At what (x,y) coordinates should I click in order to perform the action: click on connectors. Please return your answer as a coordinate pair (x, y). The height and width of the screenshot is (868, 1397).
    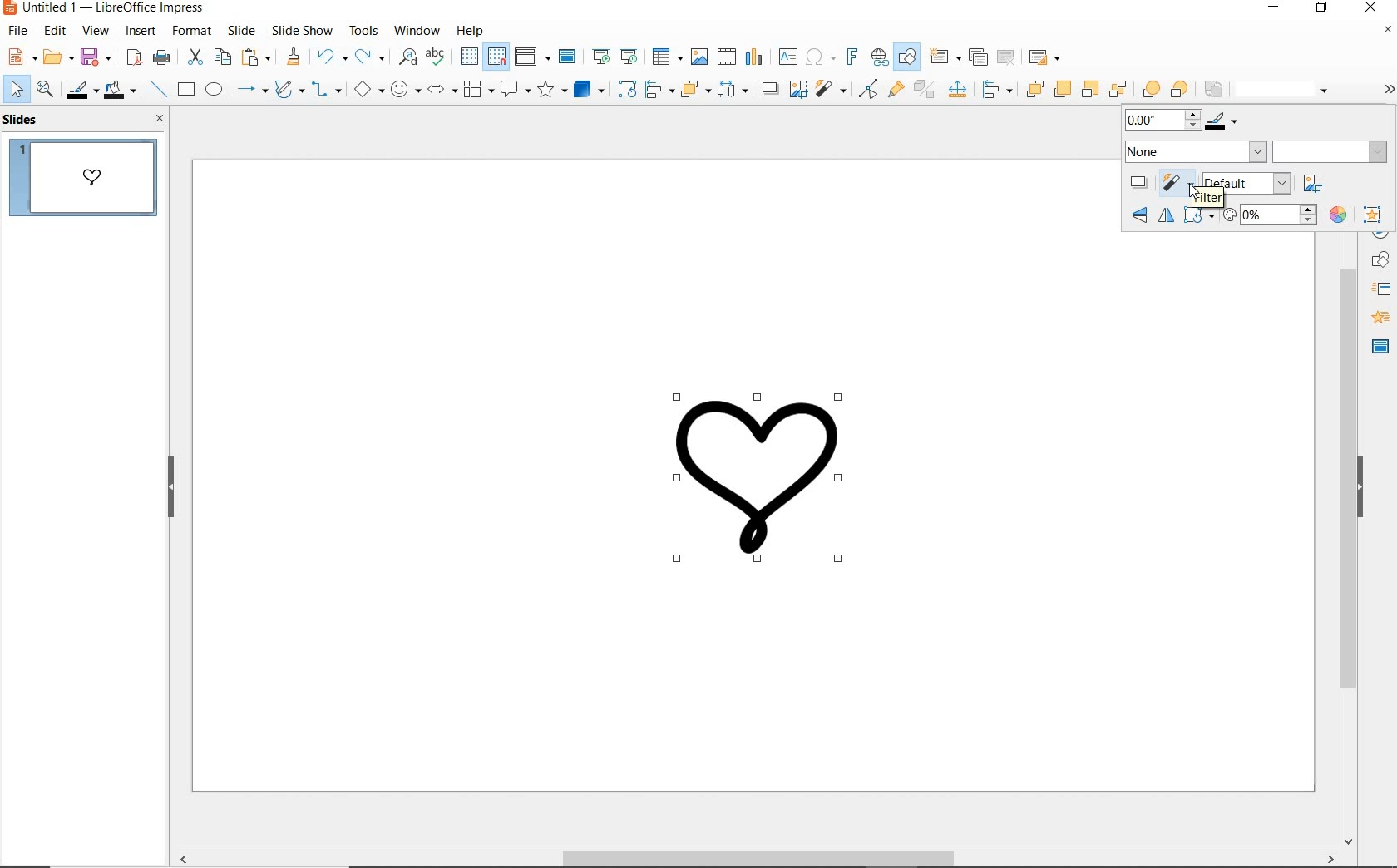
    Looking at the image, I should click on (324, 91).